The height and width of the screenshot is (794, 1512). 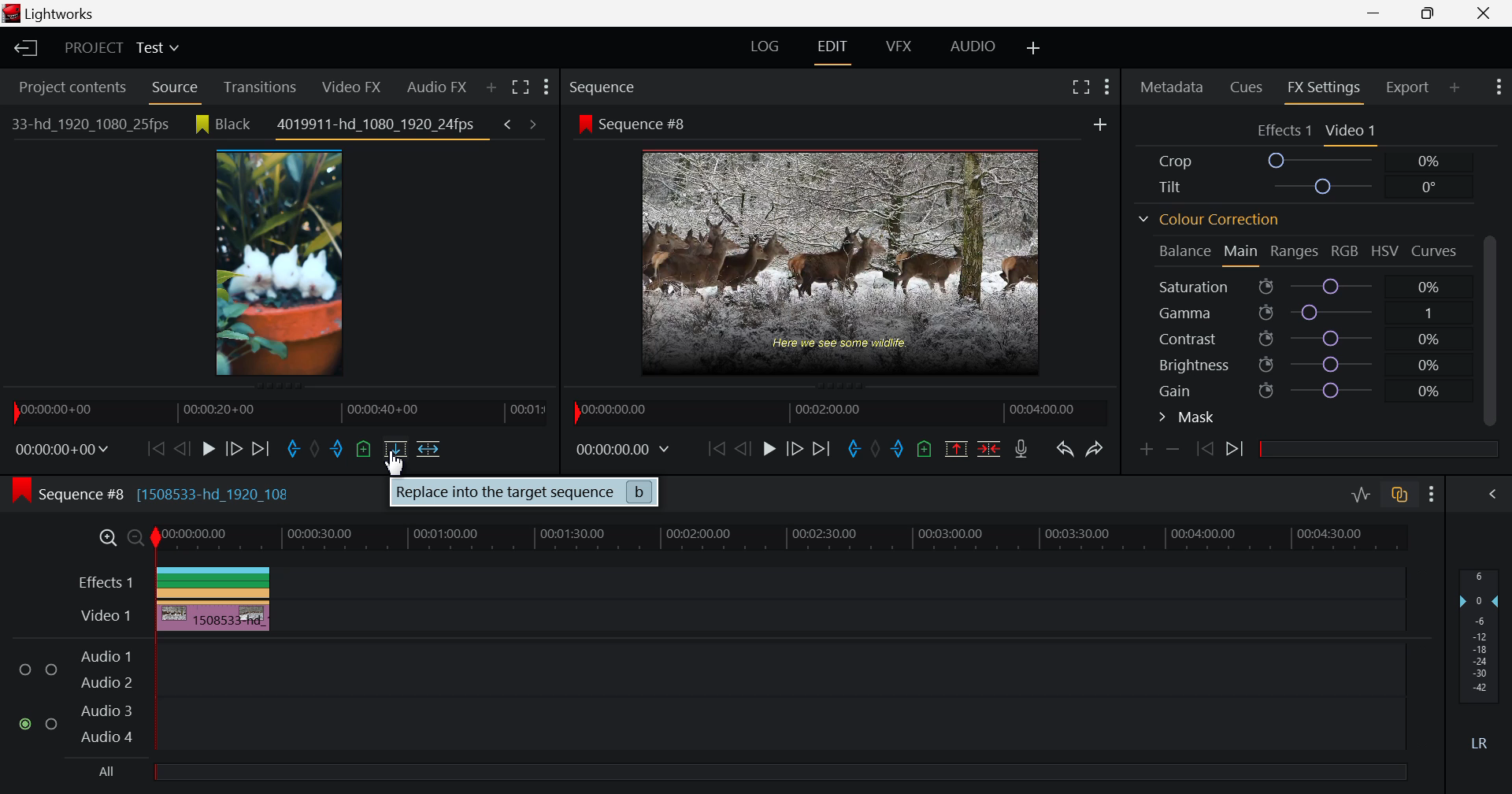 What do you see at coordinates (1296, 252) in the screenshot?
I see `Ranges` at bounding box center [1296, 252].